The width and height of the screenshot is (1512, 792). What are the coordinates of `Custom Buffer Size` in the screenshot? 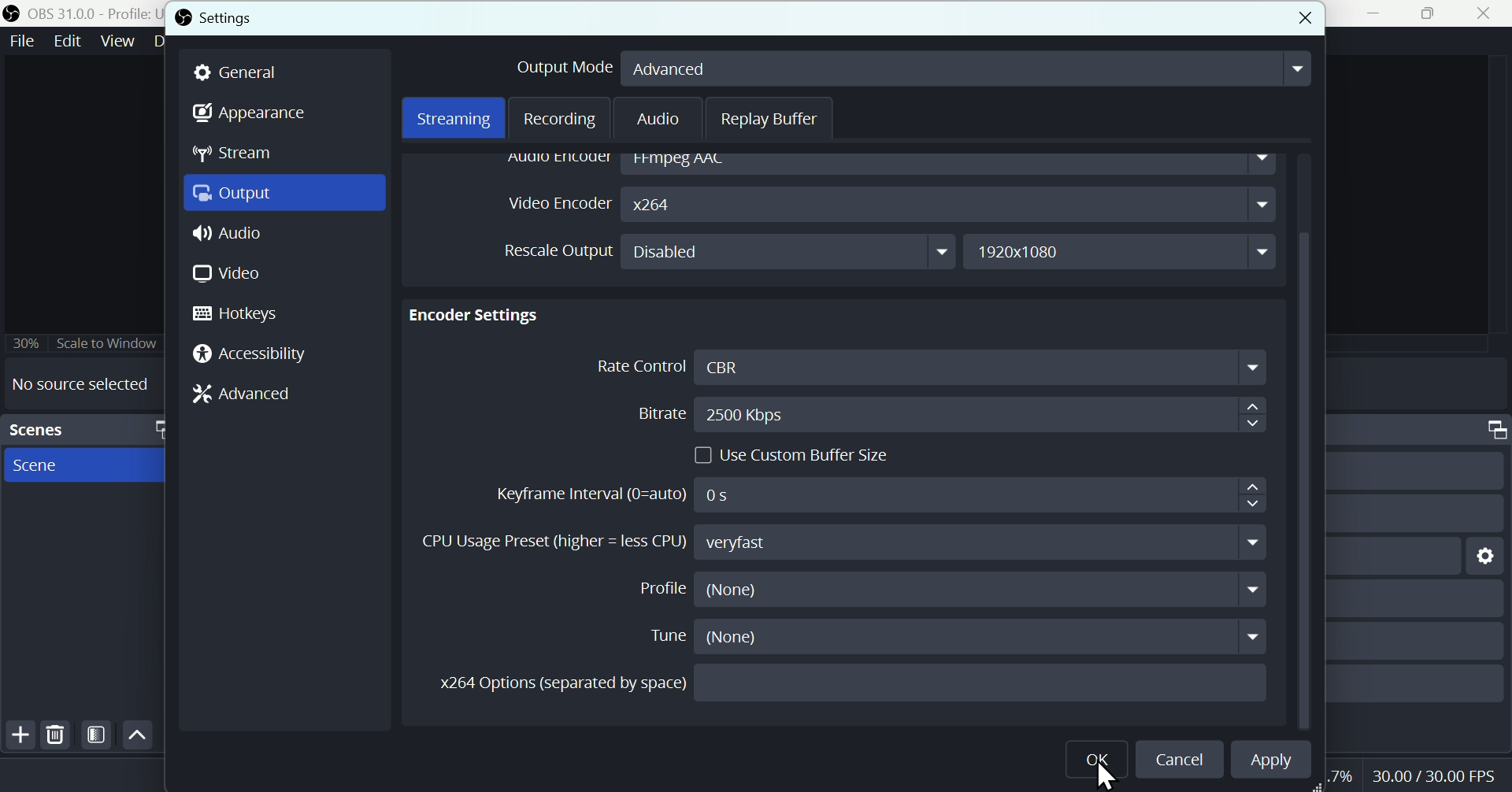 It's located at (799, 455).